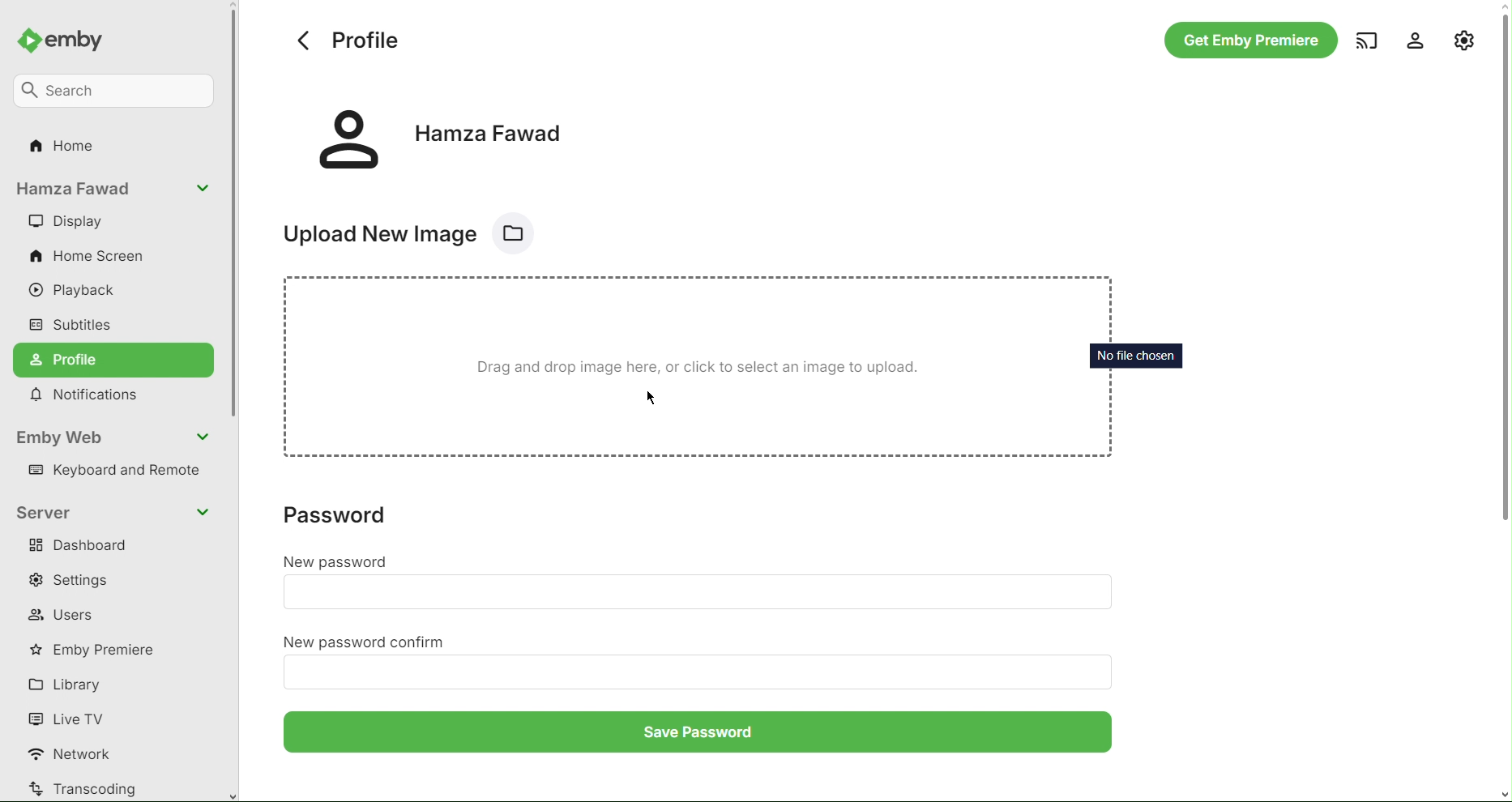 The height and width of the screenshot is (802, 1512). What do you see at coordinates (701, 371) in the screenshot?
I see `Drag and drop image here` at bounding box center [701, 371].